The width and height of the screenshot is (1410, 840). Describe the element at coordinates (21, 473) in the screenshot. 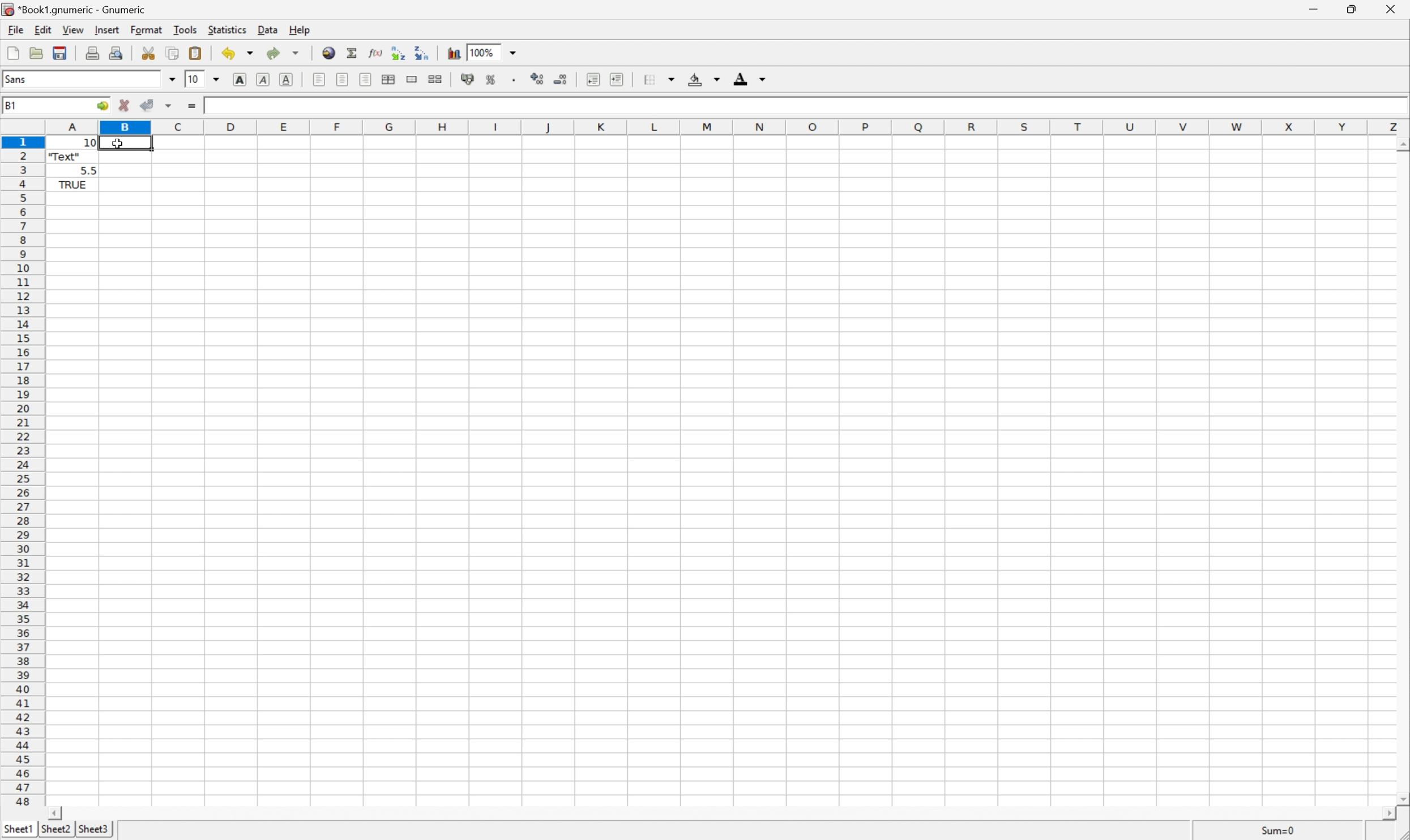

I see `Row Numbers` at that location.